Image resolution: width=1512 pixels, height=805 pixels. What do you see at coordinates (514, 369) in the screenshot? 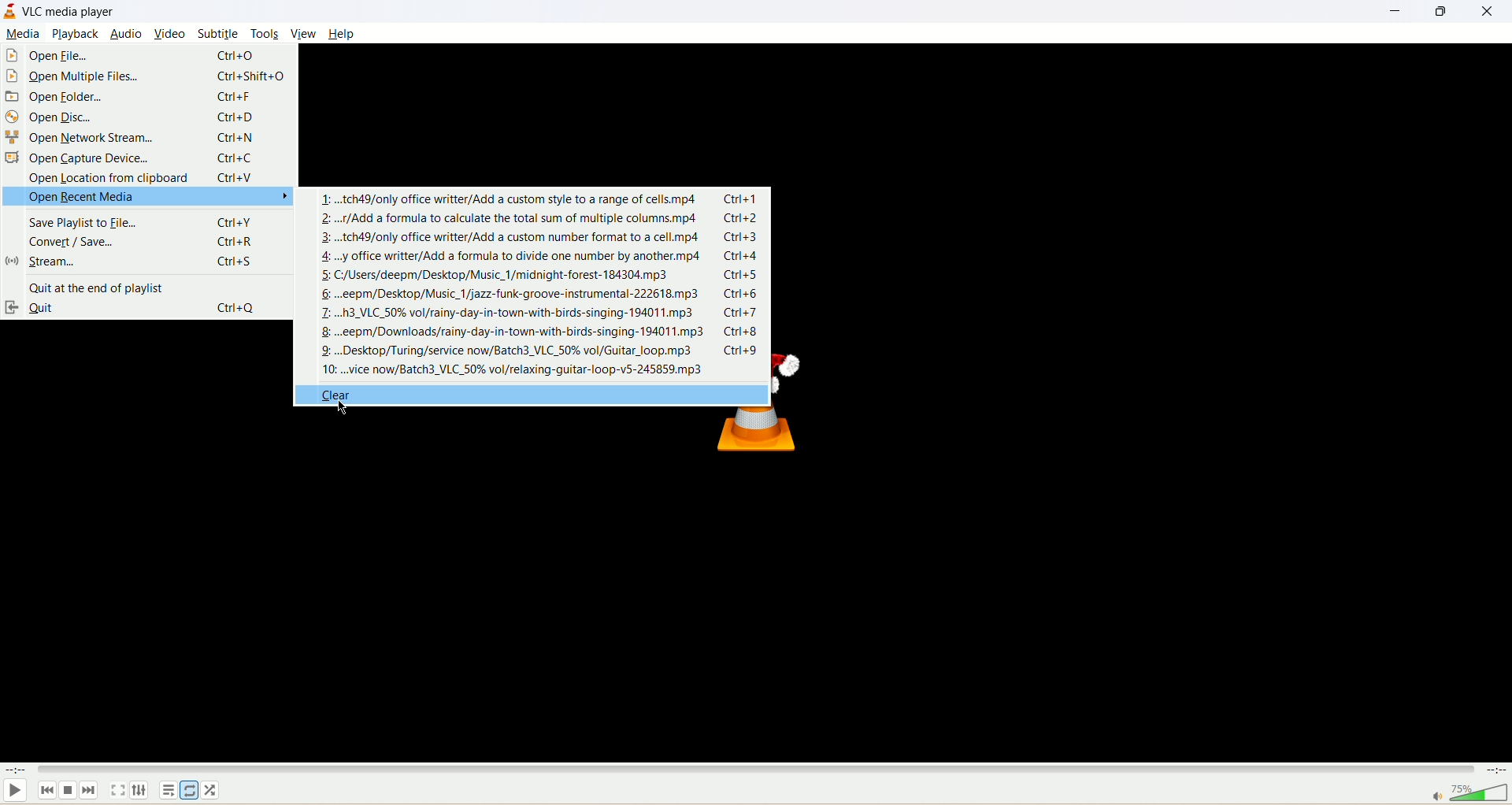
I see `10: ...vice now/Batch3_VLC_50% vol/relaxing-guitar-loop-v5-245859.mp3` at bounding box center [514, 369].